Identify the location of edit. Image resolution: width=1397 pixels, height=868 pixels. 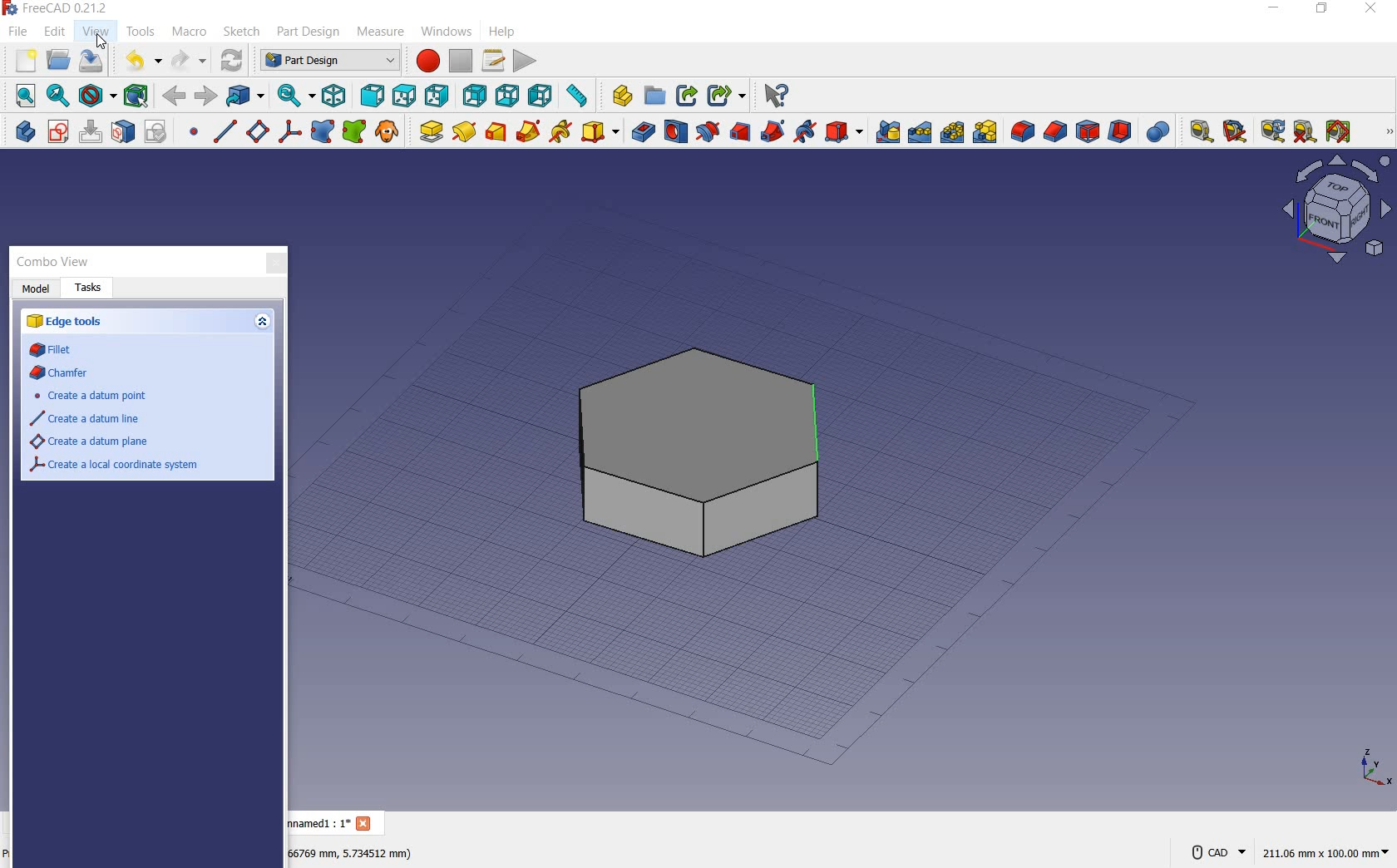
(53, 31).